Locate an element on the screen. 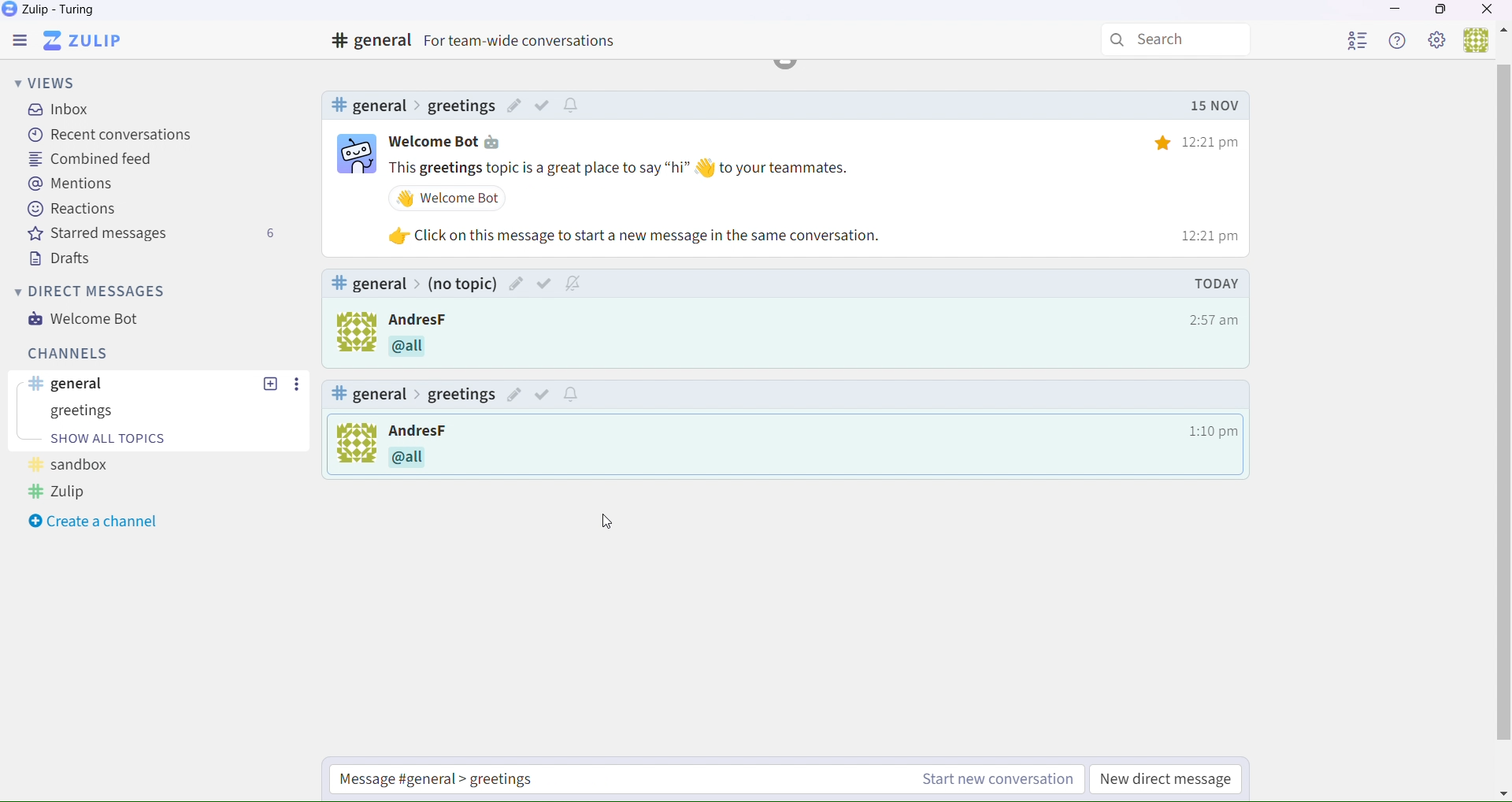  Start a new conversation is located at coordinates (991, 782).